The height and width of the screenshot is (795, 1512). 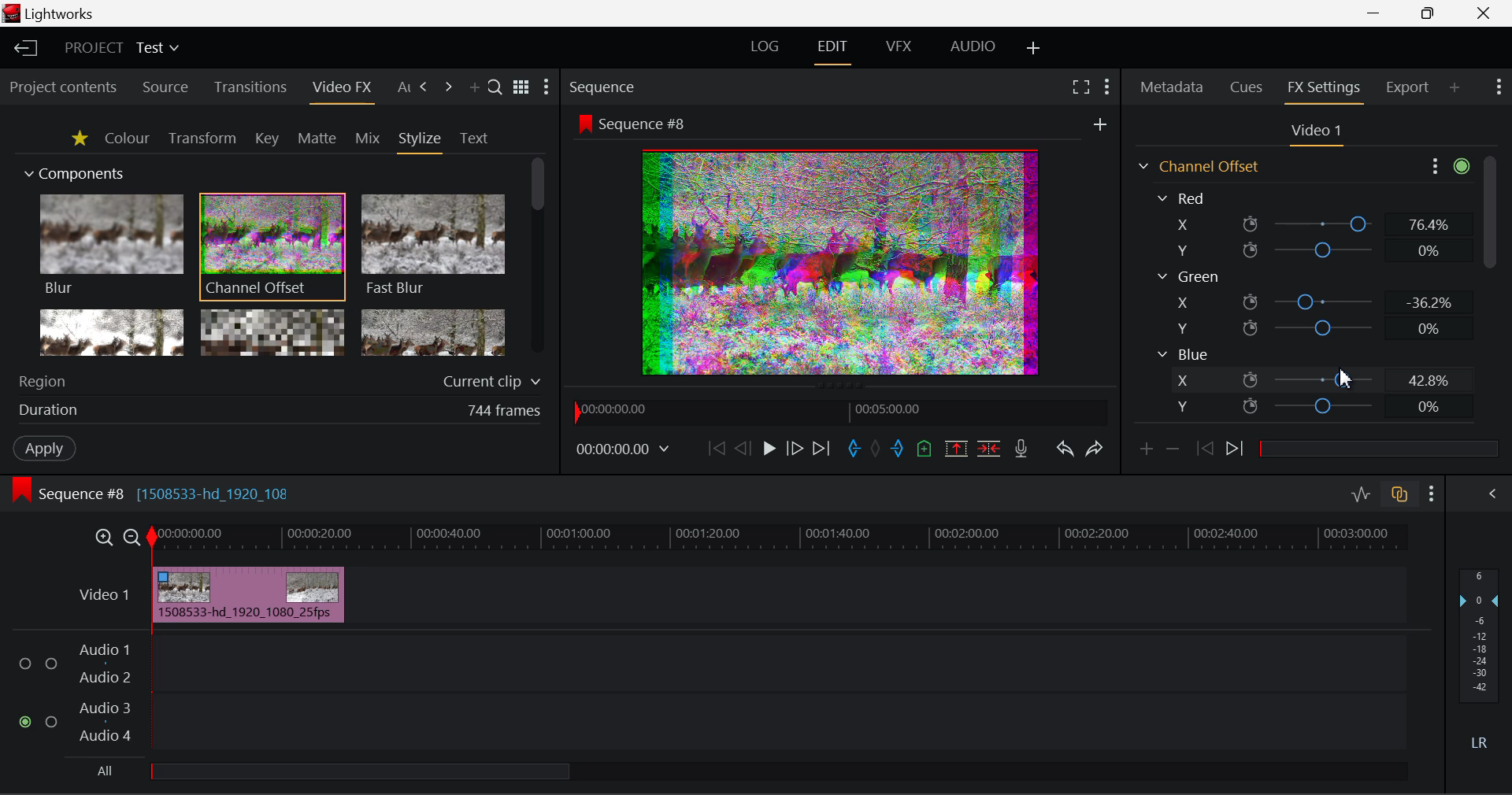 I want to click on Sequence Preview Section, so click(x=604, y=86).